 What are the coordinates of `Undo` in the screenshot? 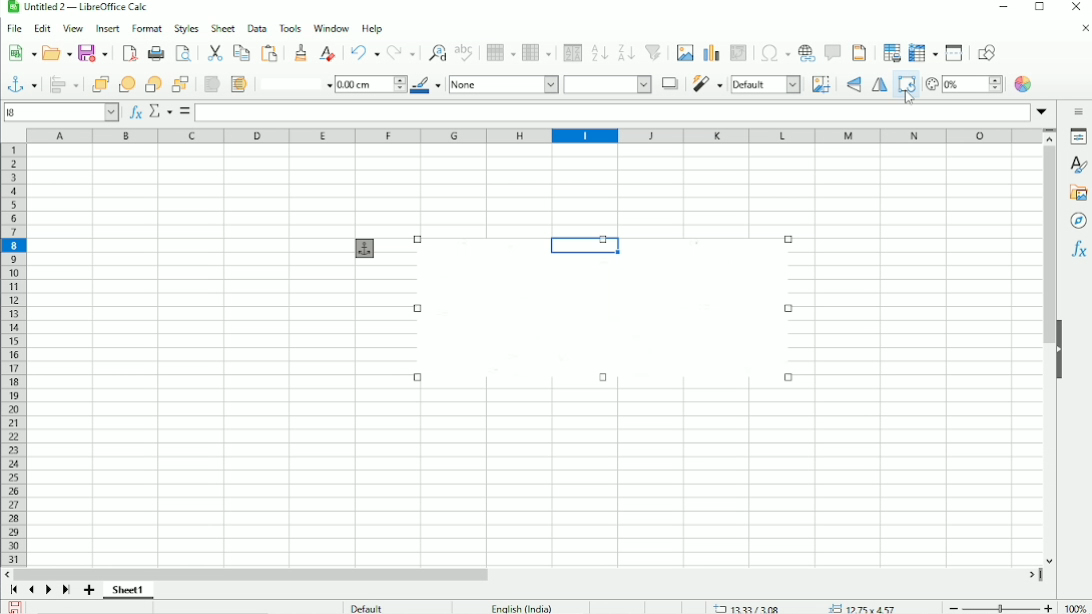 It's located at (363, 53).